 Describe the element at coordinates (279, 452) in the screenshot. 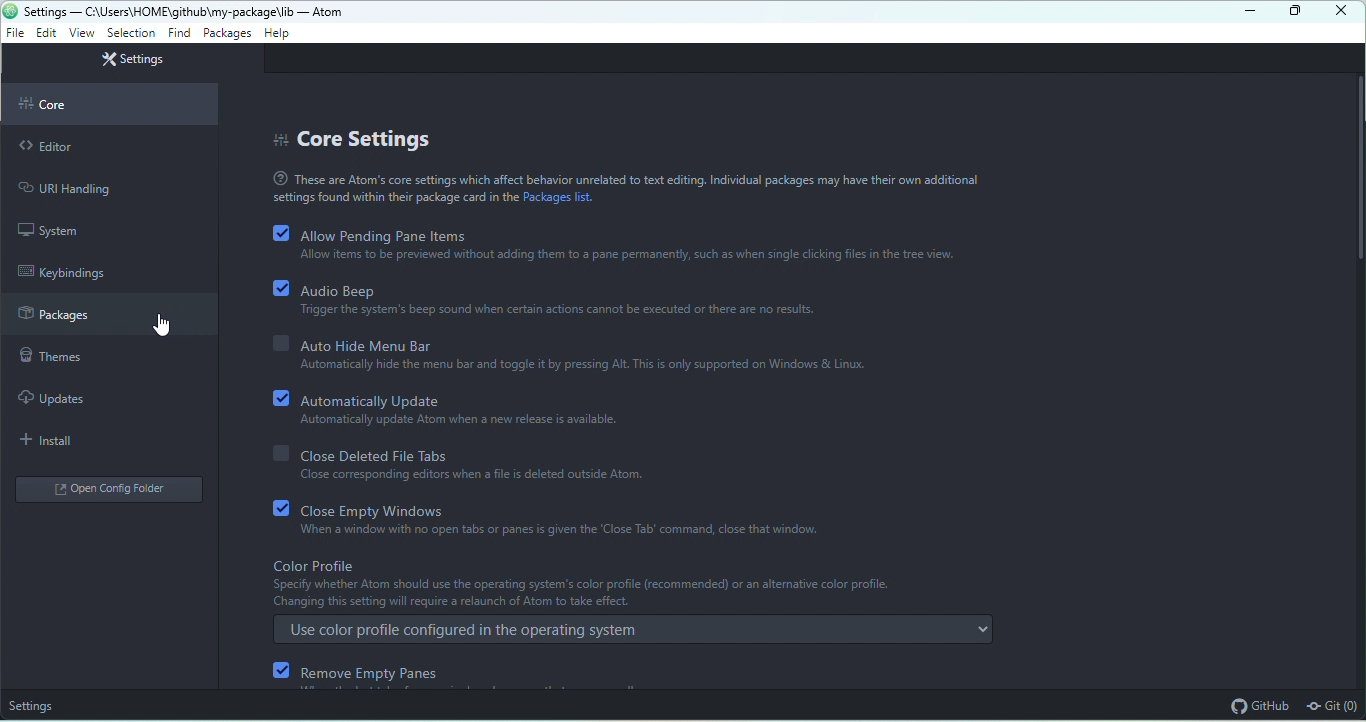

I see `checkbox without tick` at that location.